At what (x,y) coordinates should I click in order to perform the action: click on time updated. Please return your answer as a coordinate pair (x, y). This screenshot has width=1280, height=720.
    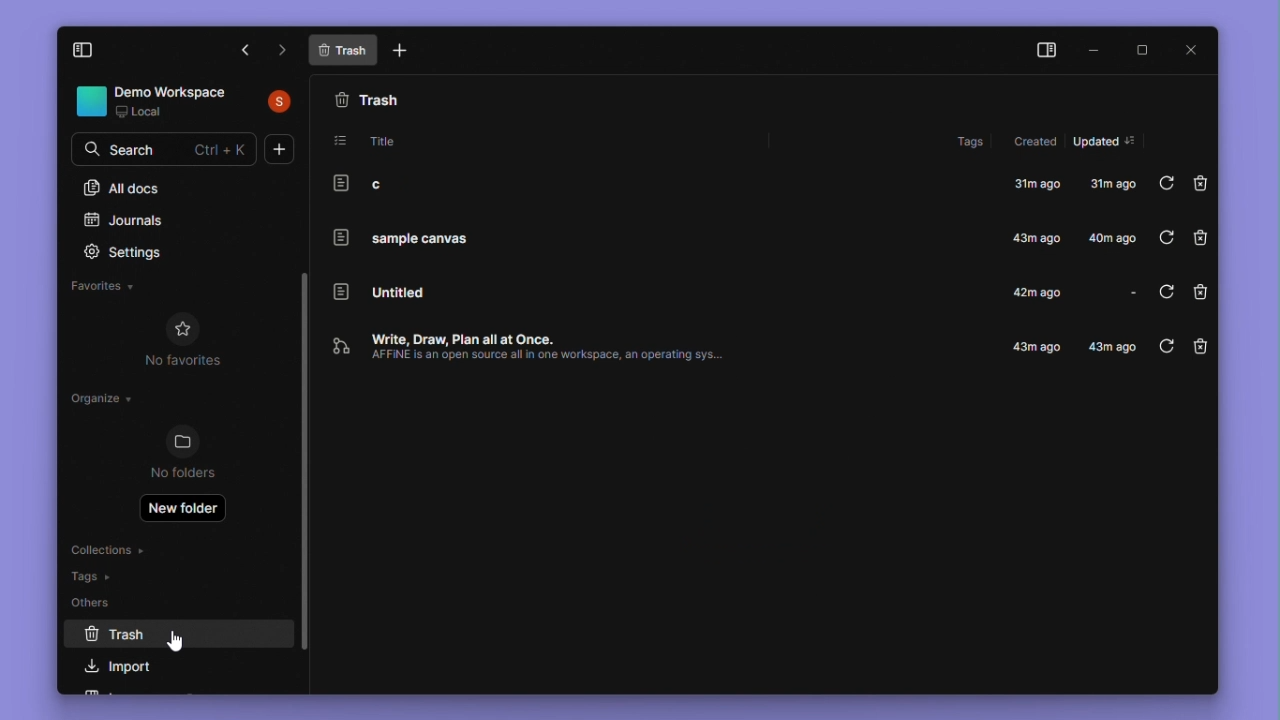
    Looking at the image, I should click on (1110, 183).